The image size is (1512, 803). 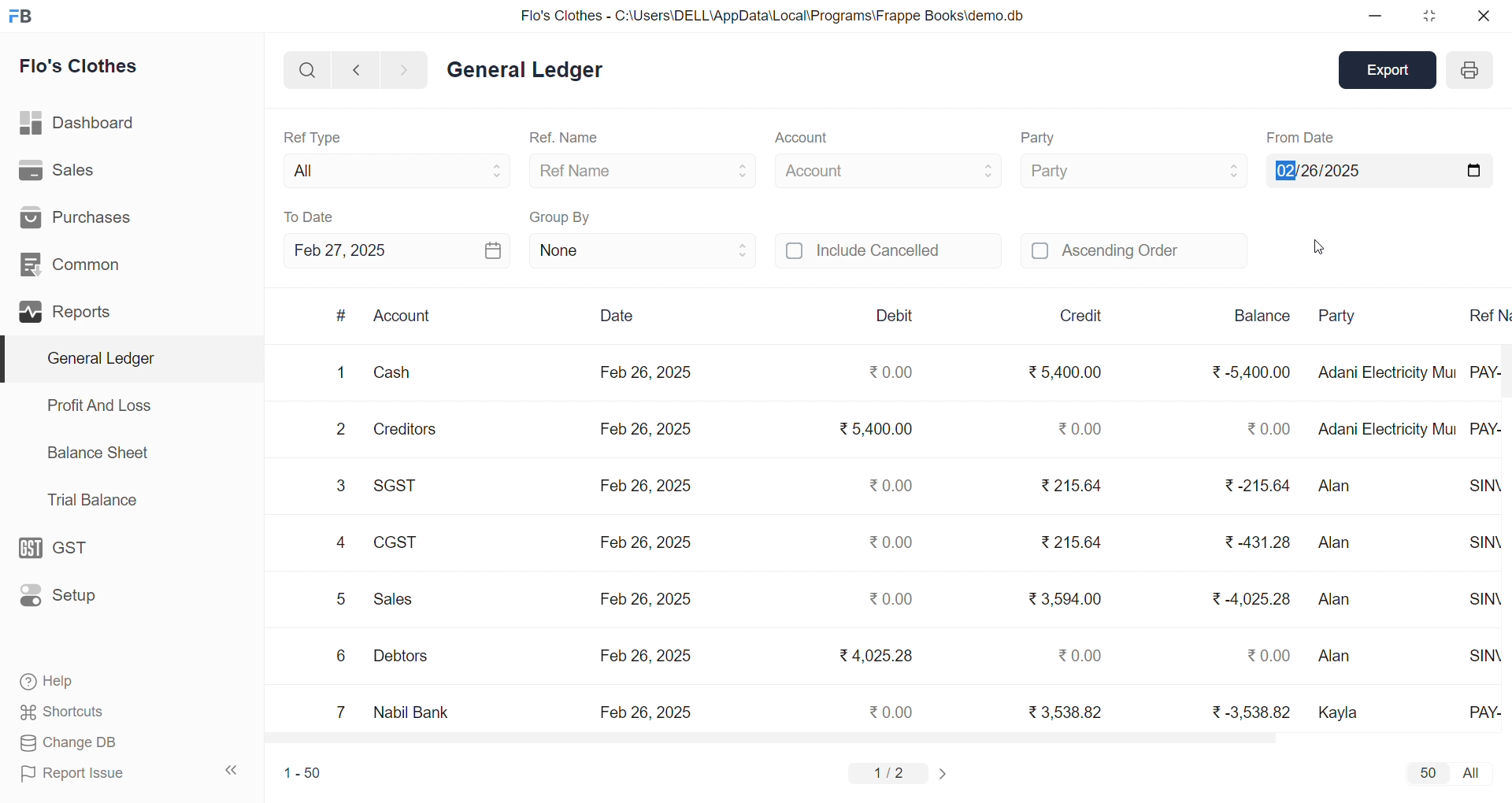 What do you see at coordinates (94, 501) in the screenshot?
I see `Trial Balance` at bounding box center [94, 501].